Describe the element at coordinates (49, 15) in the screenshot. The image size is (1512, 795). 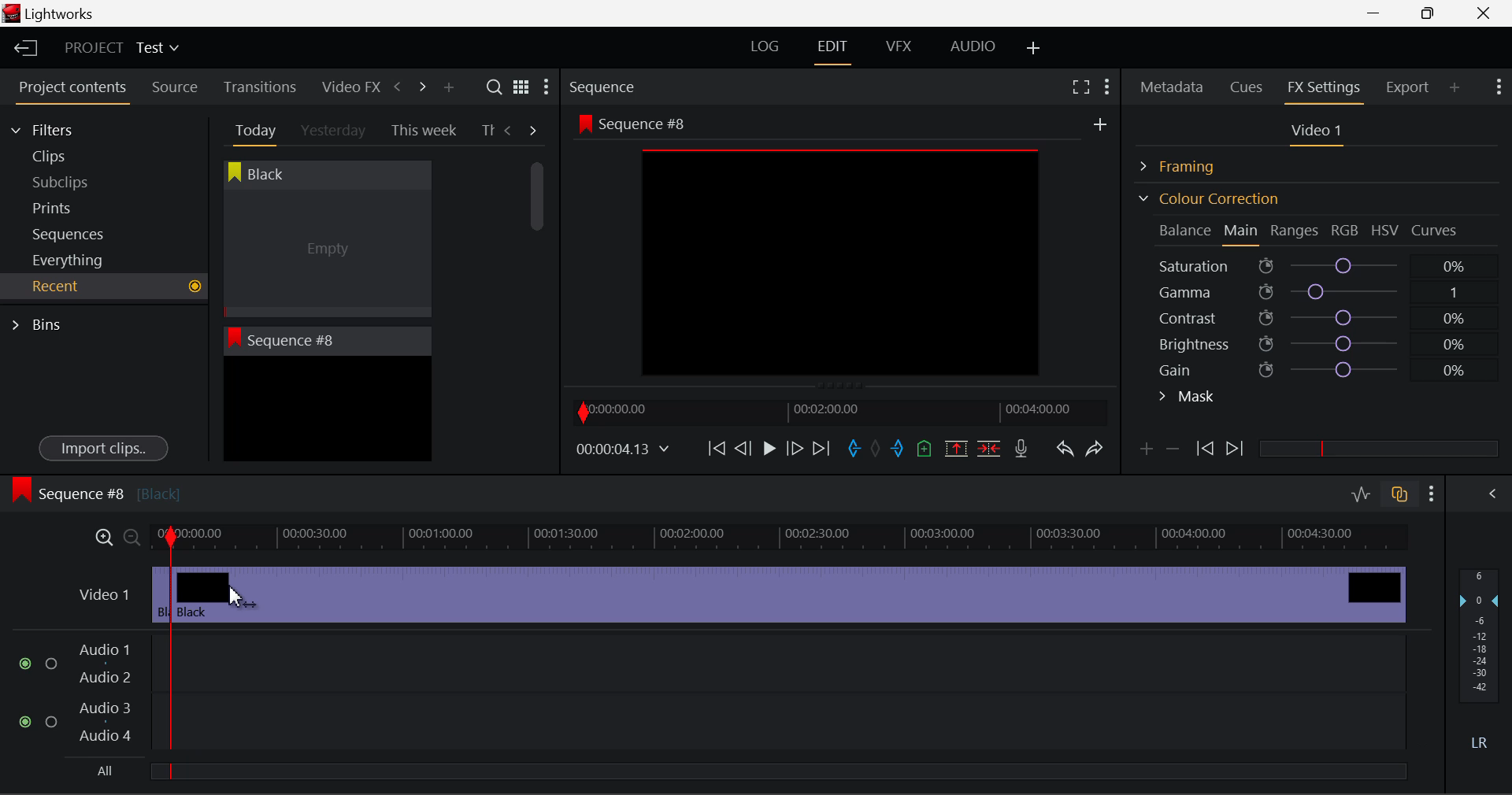
I see `Window Title` at that location.